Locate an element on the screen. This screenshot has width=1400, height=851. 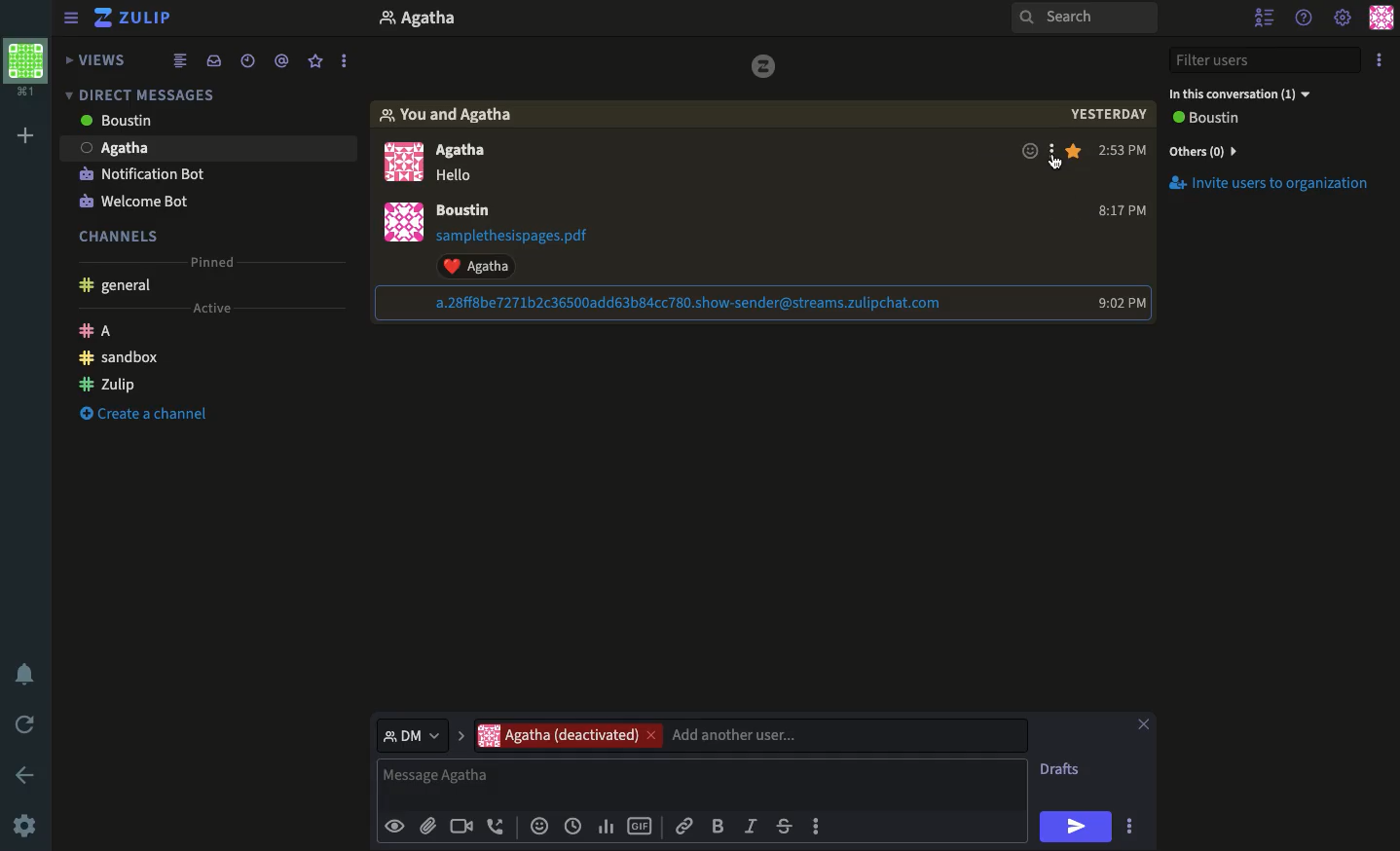
options is located at coordinates (1132, 829).